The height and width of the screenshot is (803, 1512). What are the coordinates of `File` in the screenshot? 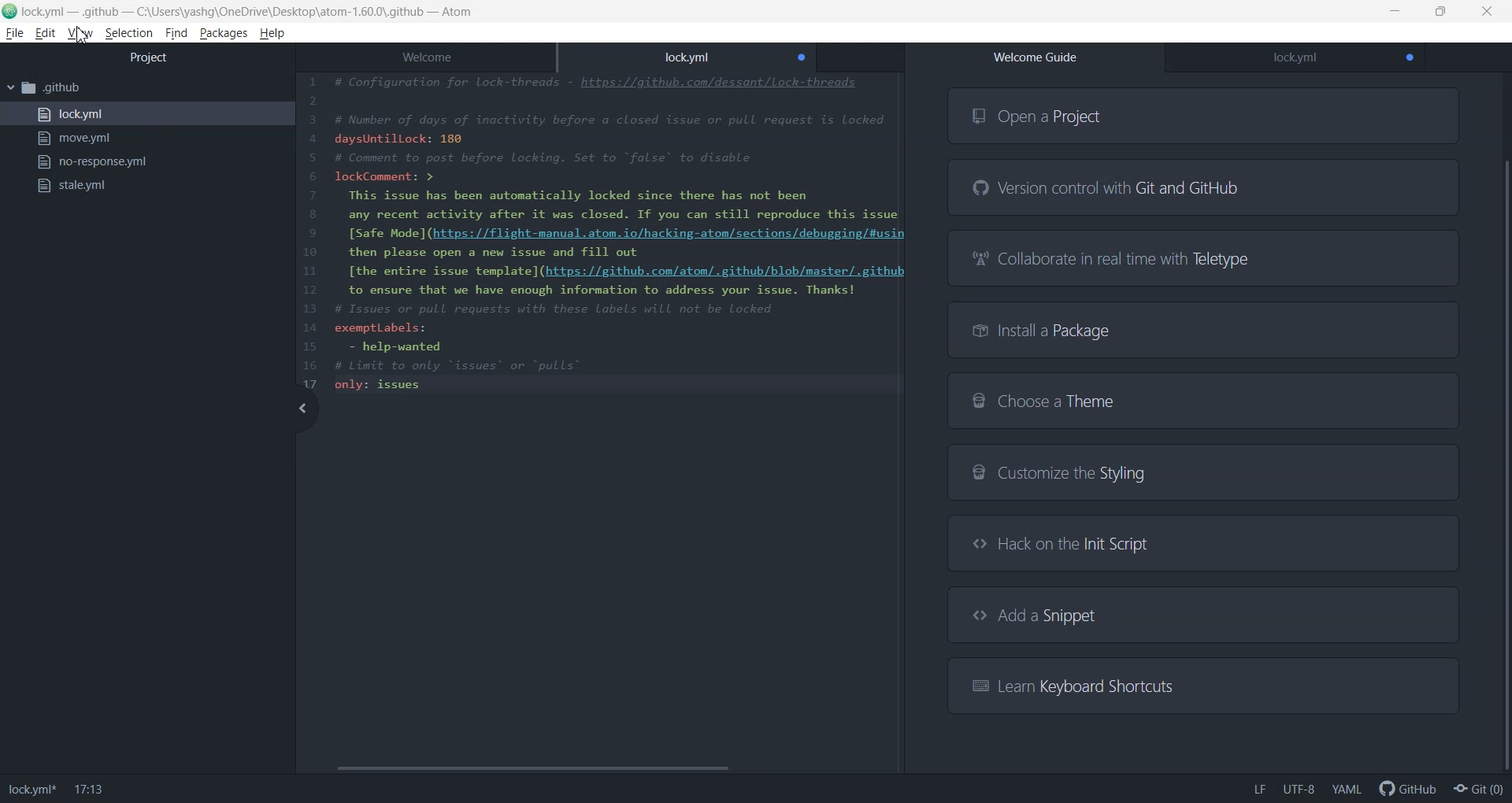 It's located at (14, 33).